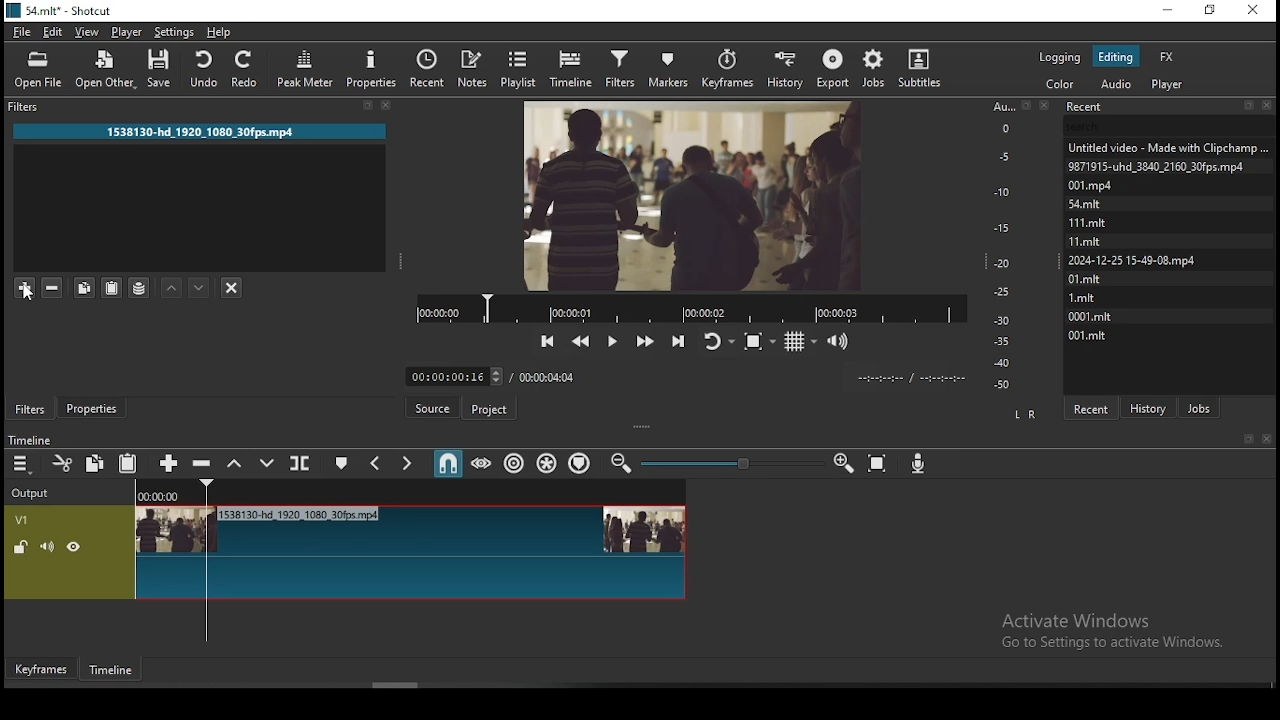  I want to click on zoom timeline in, so click(623, 464).